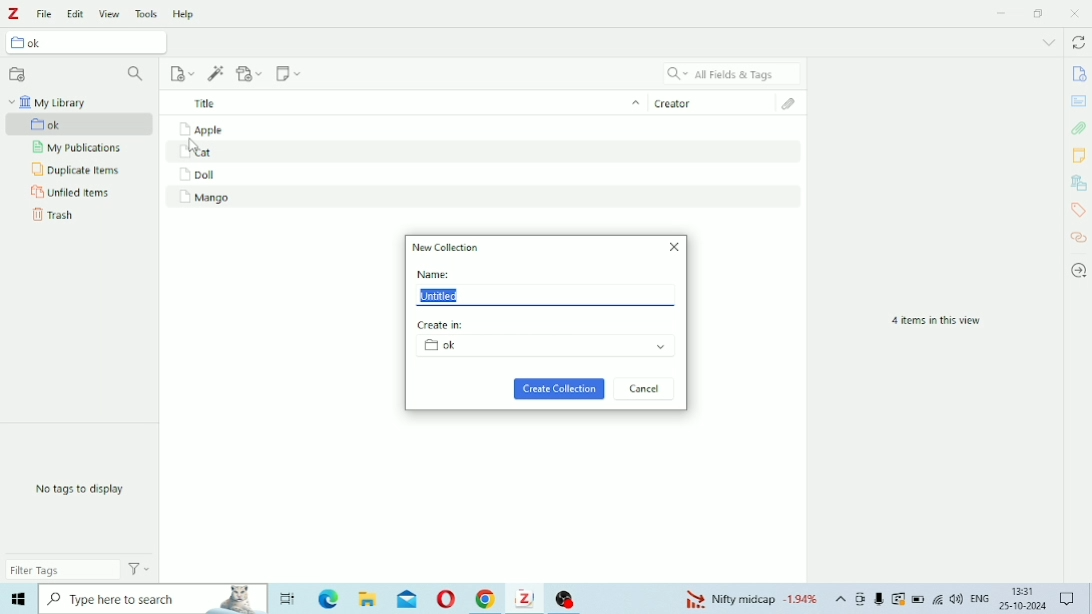 Image resolution: width=1092 pixels, height=614 pixels. I want to click on Edit, so click(74, 14).